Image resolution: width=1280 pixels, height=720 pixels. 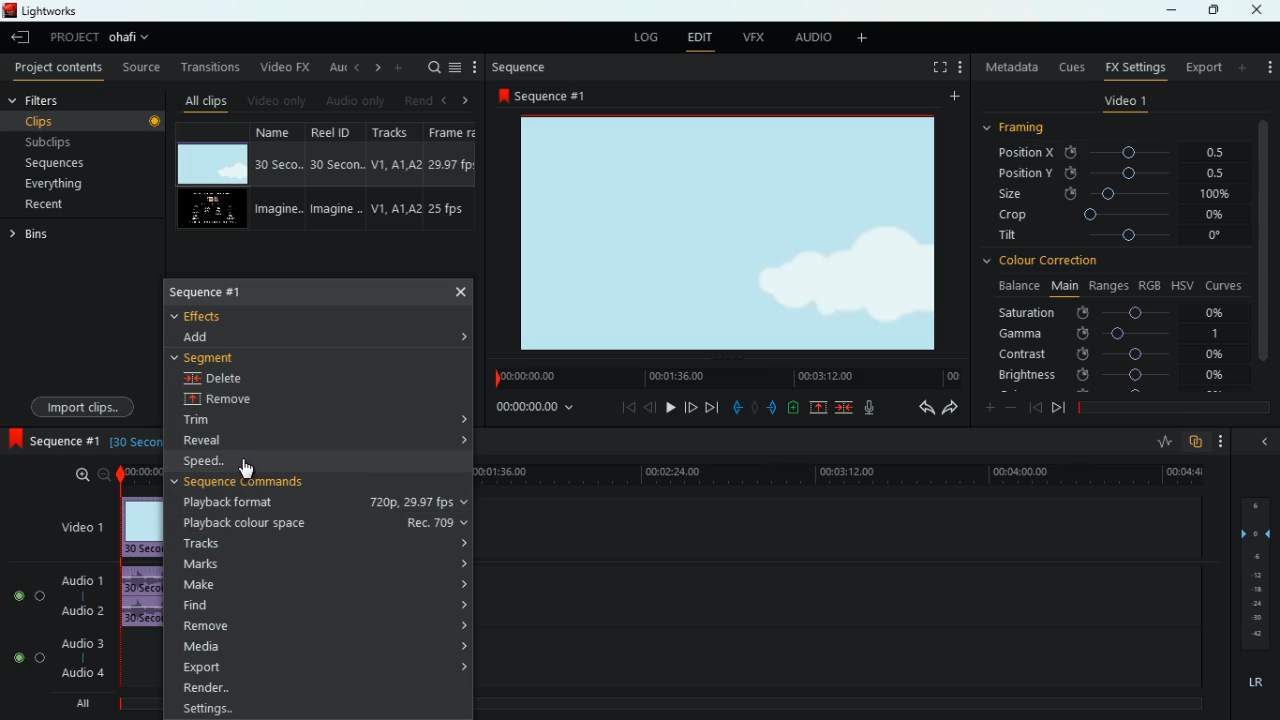 What do you see at coordinates (866, 39) in the screenshot?
I see `more` at bounding box center [866, 39].